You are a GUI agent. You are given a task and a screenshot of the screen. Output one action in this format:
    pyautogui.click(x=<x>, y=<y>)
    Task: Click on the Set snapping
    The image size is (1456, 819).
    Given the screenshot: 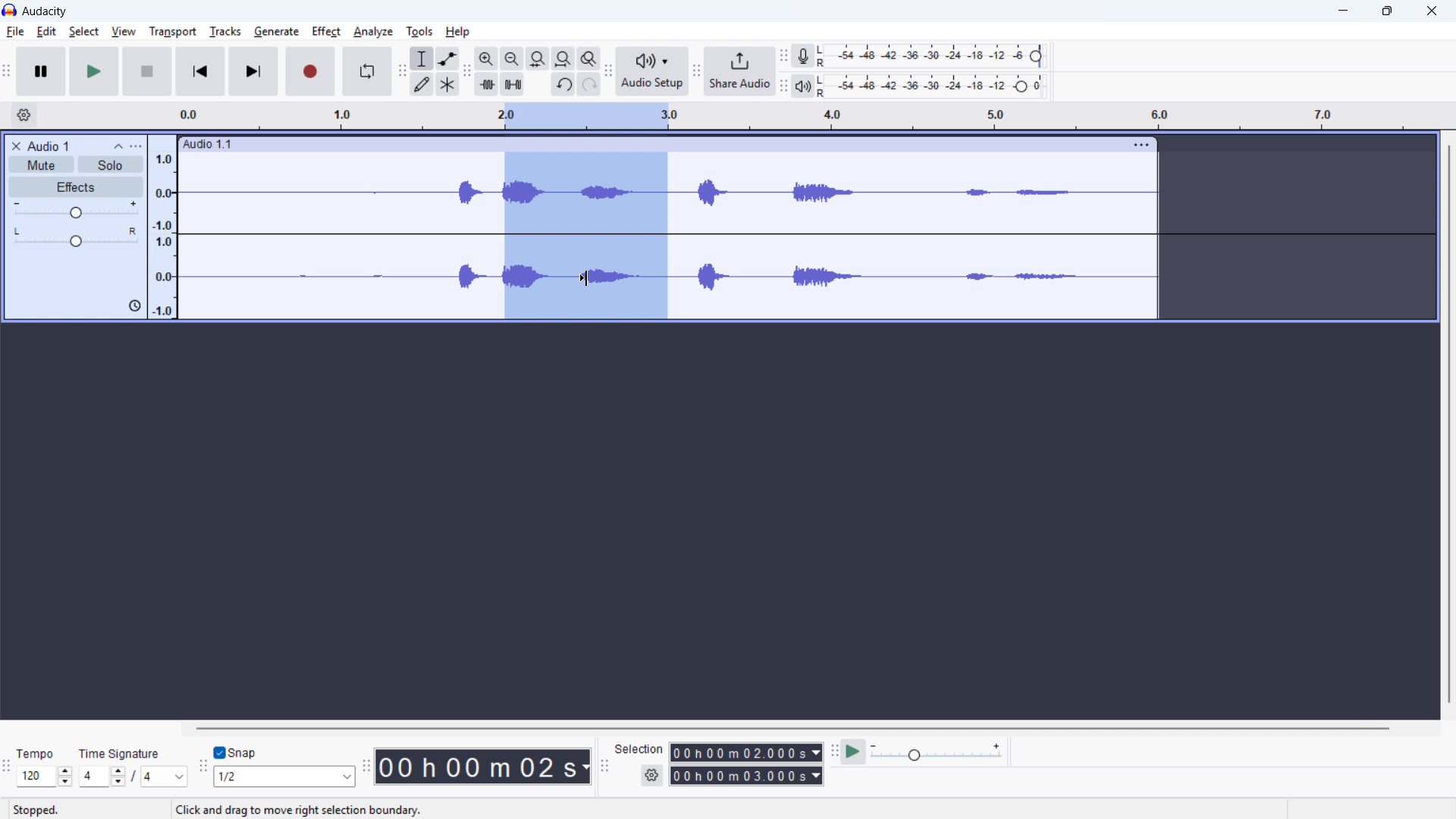 What is the action you would take?
    pyautogui.click(x=285, y=777)
    